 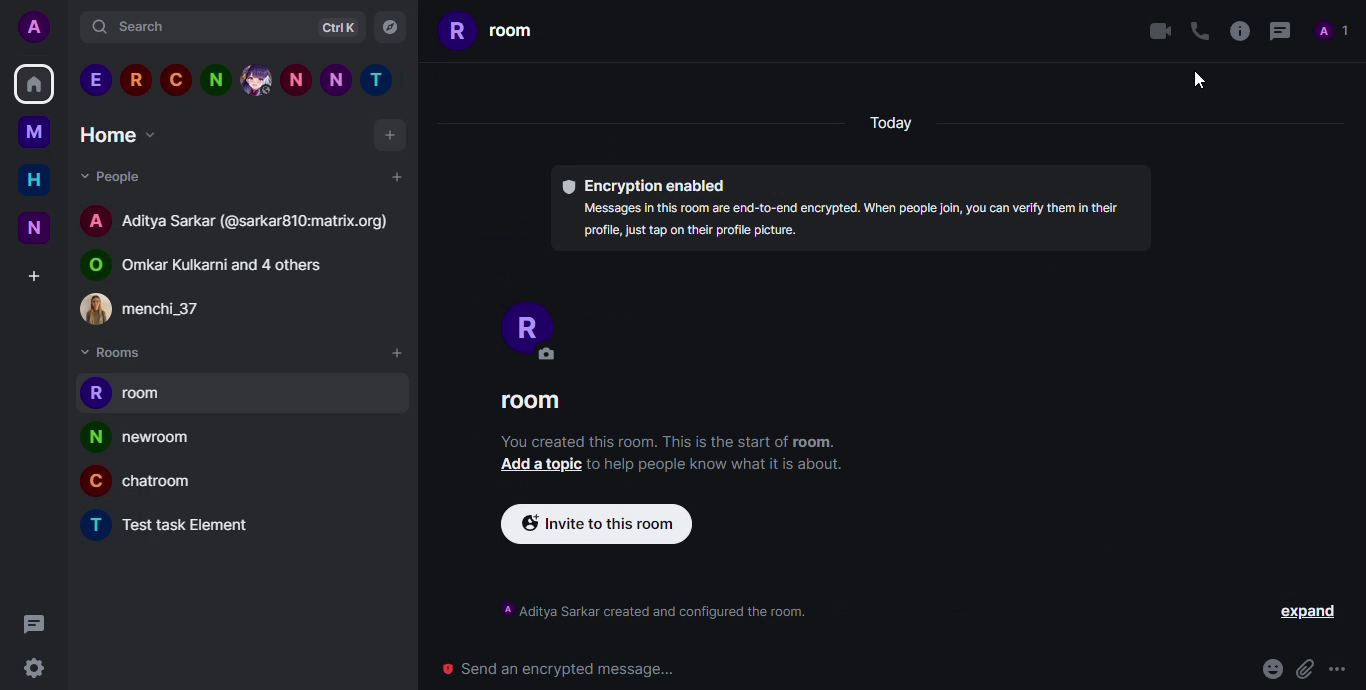 I want to click on people, so click(x=1333, y=31).